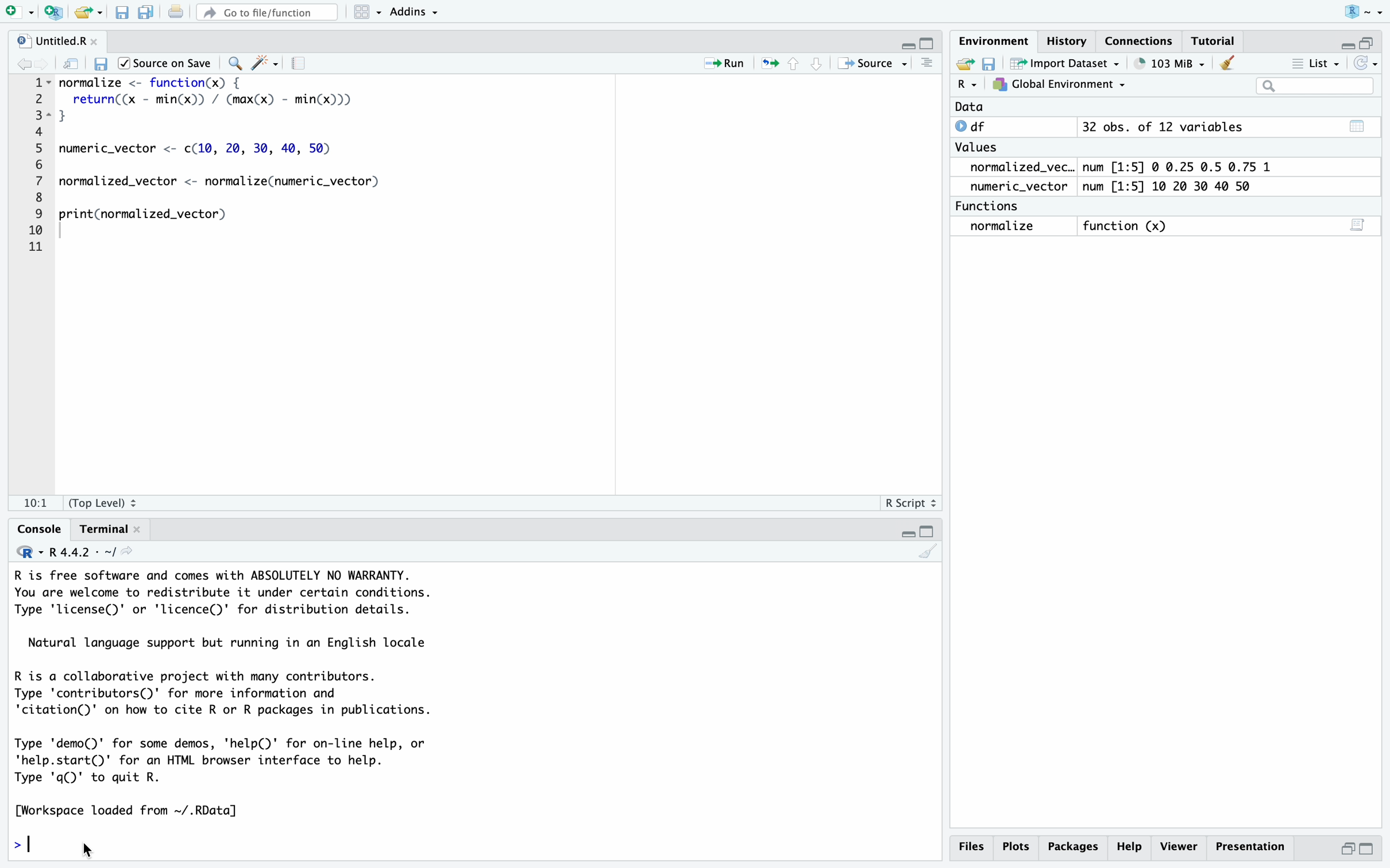  I want to click on Data/Table, so click(1358, 227).